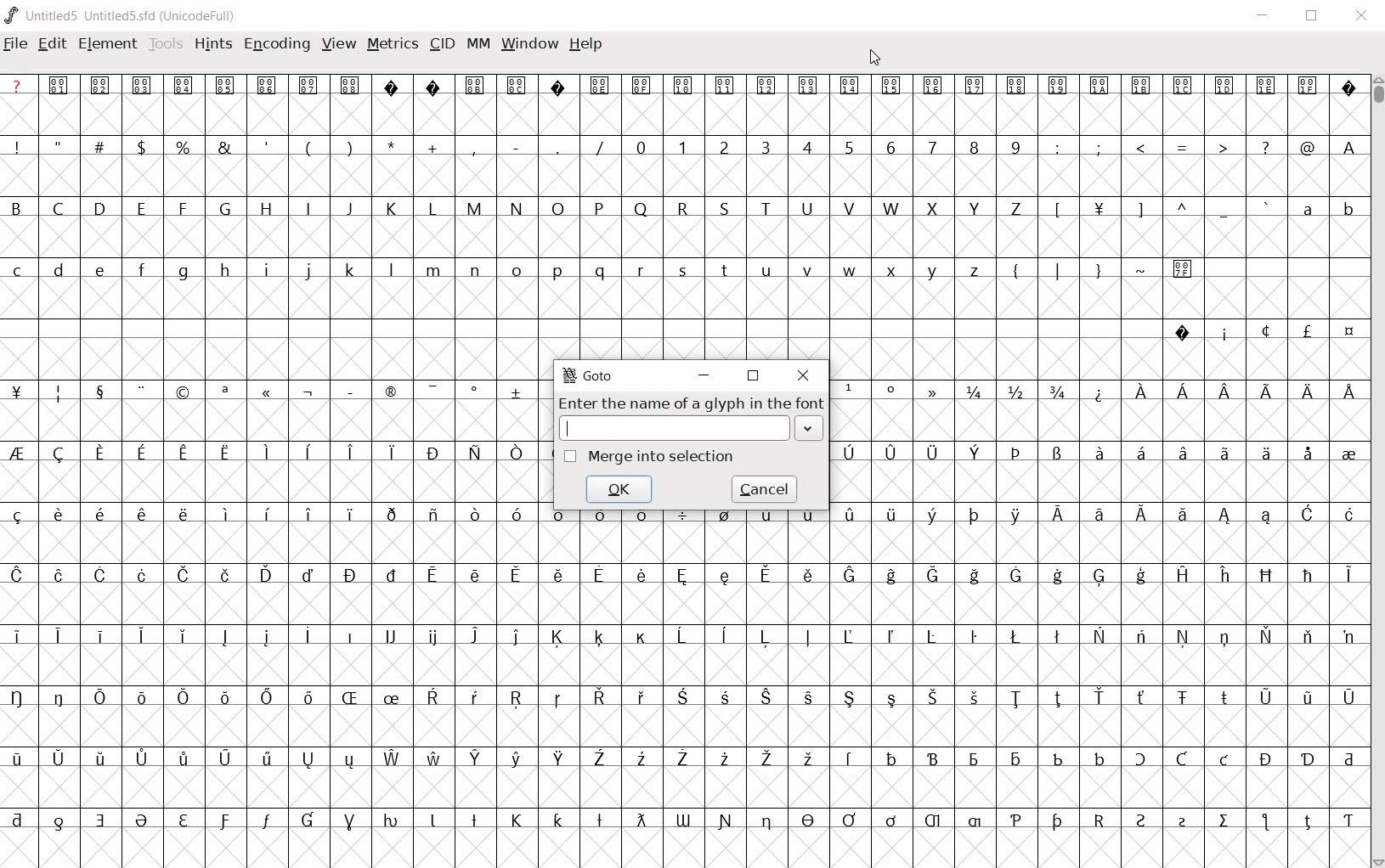 The height and width of the screenshot is (868, 1385). What do you see at coordinates (392, 269) in the screenshot?
I see `l` at bounding box center [392, 269].